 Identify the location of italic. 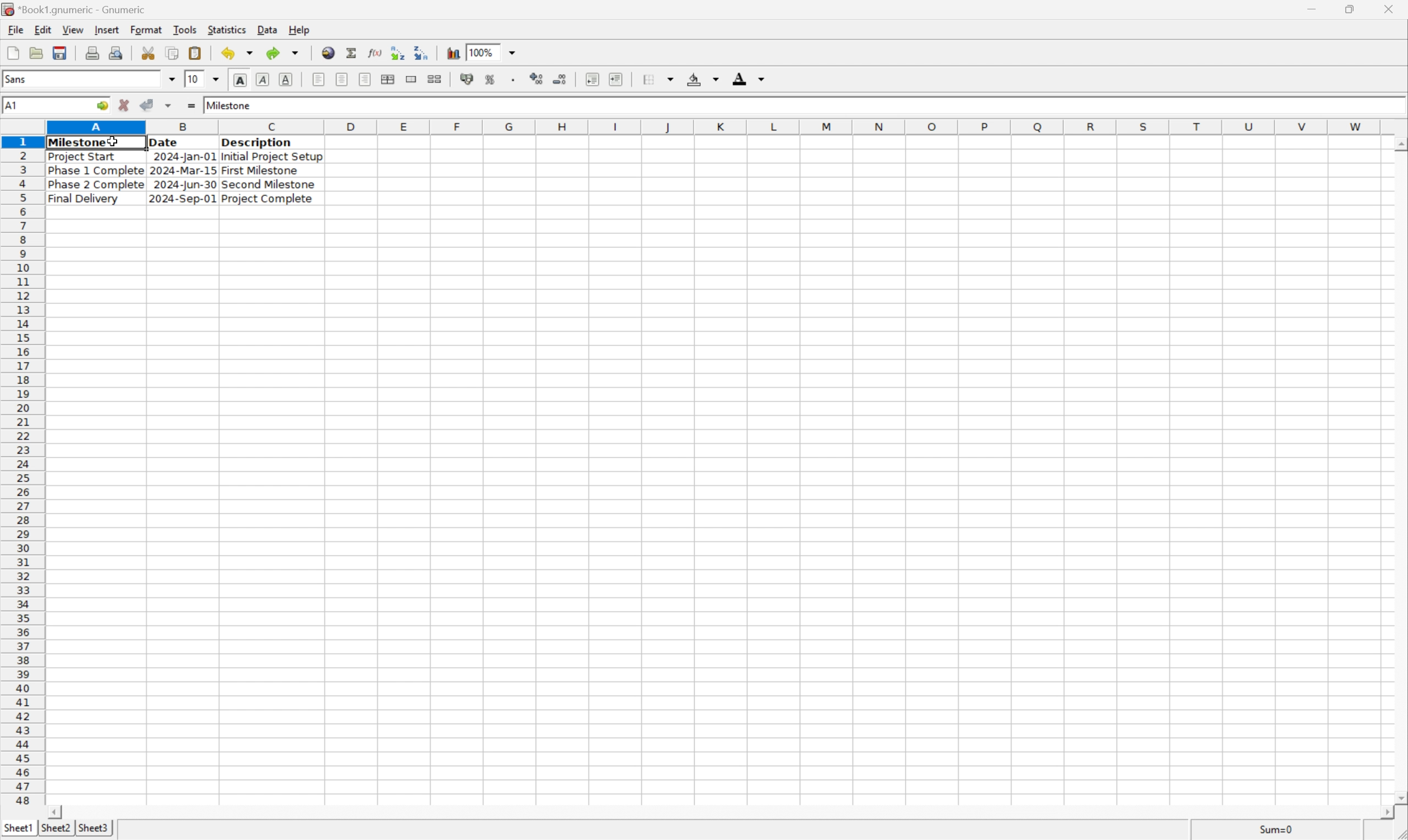
(263, 79).